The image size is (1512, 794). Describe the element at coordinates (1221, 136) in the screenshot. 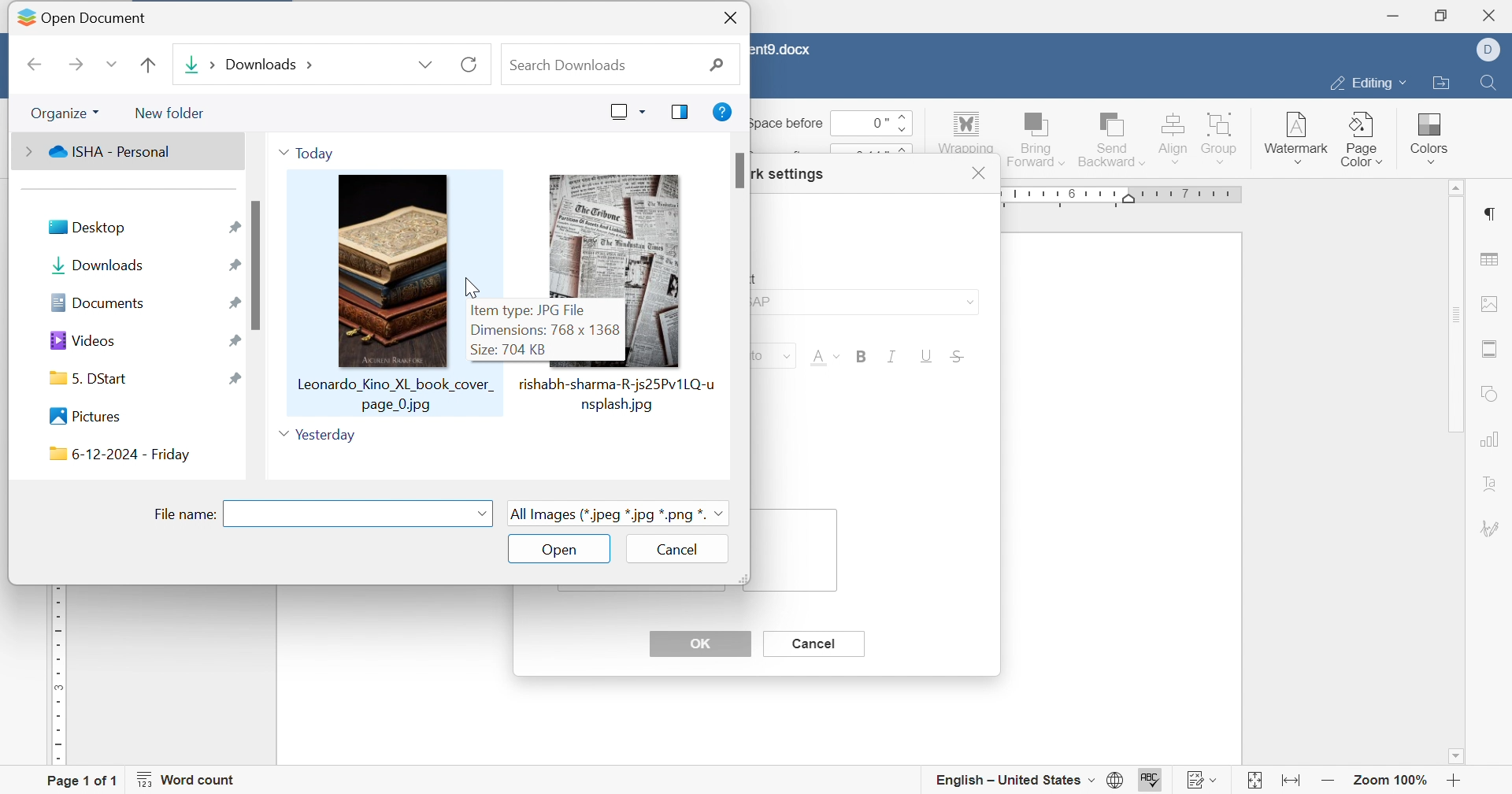

I see `group` at that location.